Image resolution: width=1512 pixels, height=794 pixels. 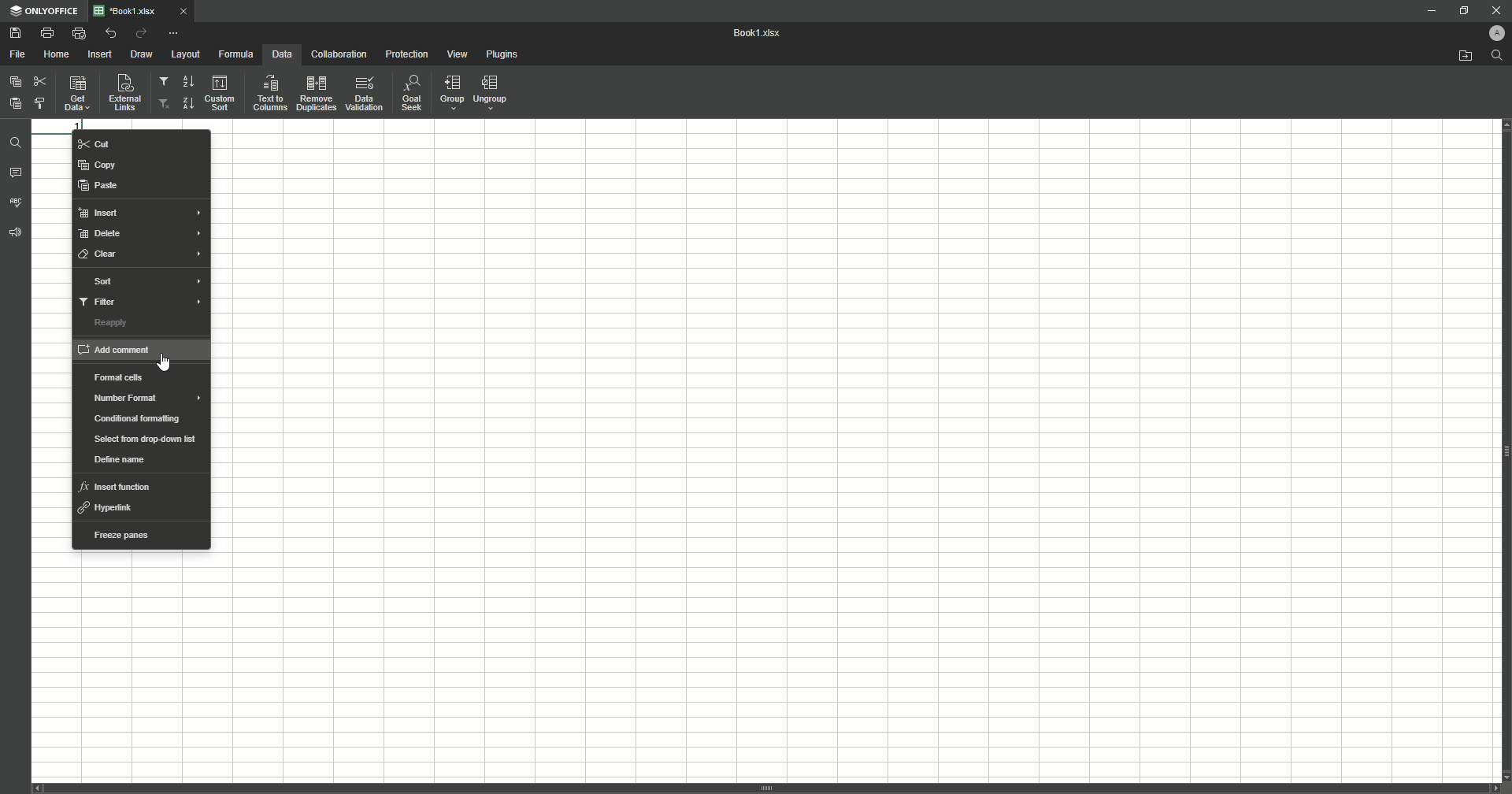 I want to click on Freeze panes, so click(x=120, y=535).